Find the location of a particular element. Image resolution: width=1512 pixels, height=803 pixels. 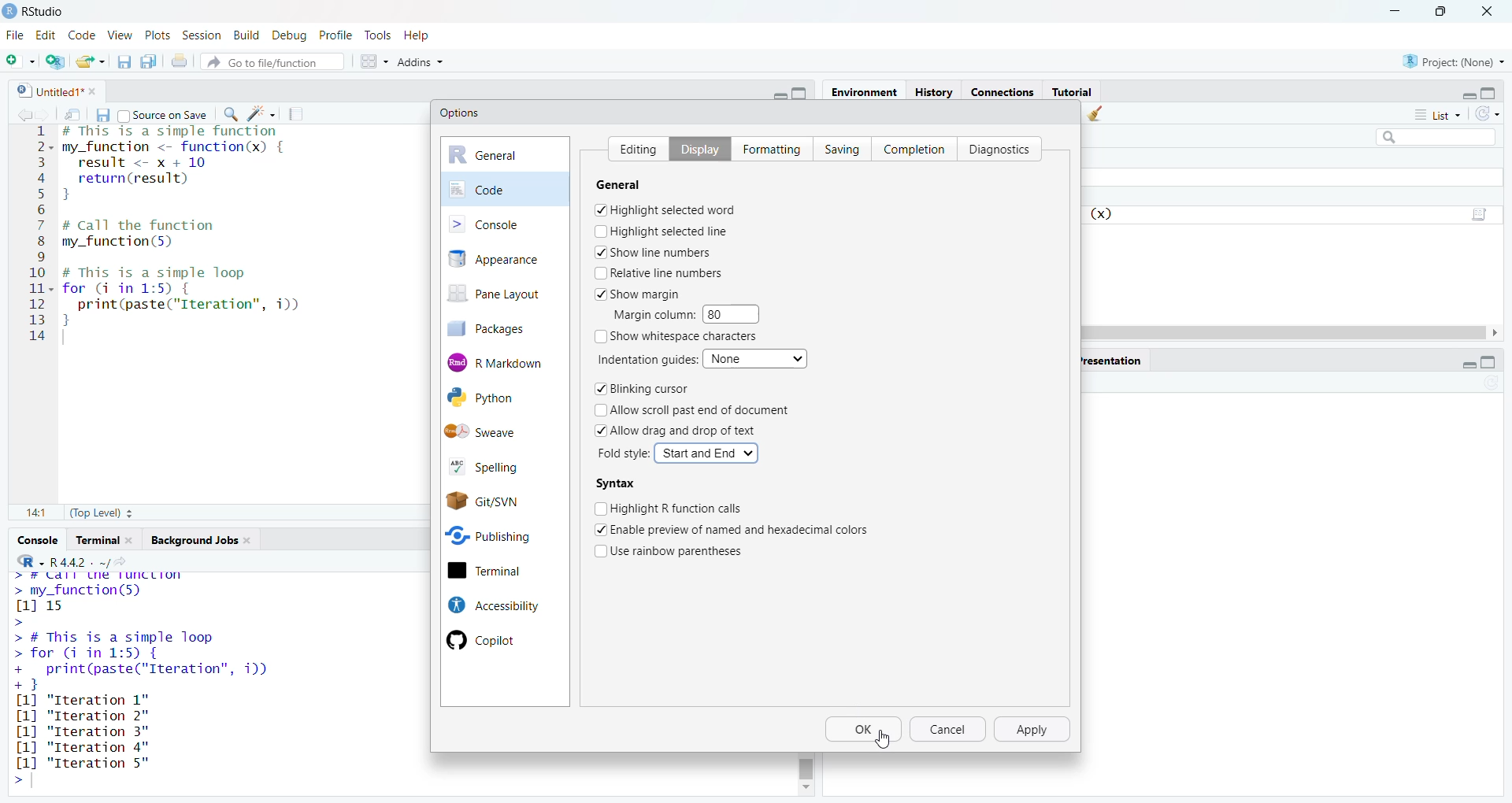

help is located at coordinates (422, 34).